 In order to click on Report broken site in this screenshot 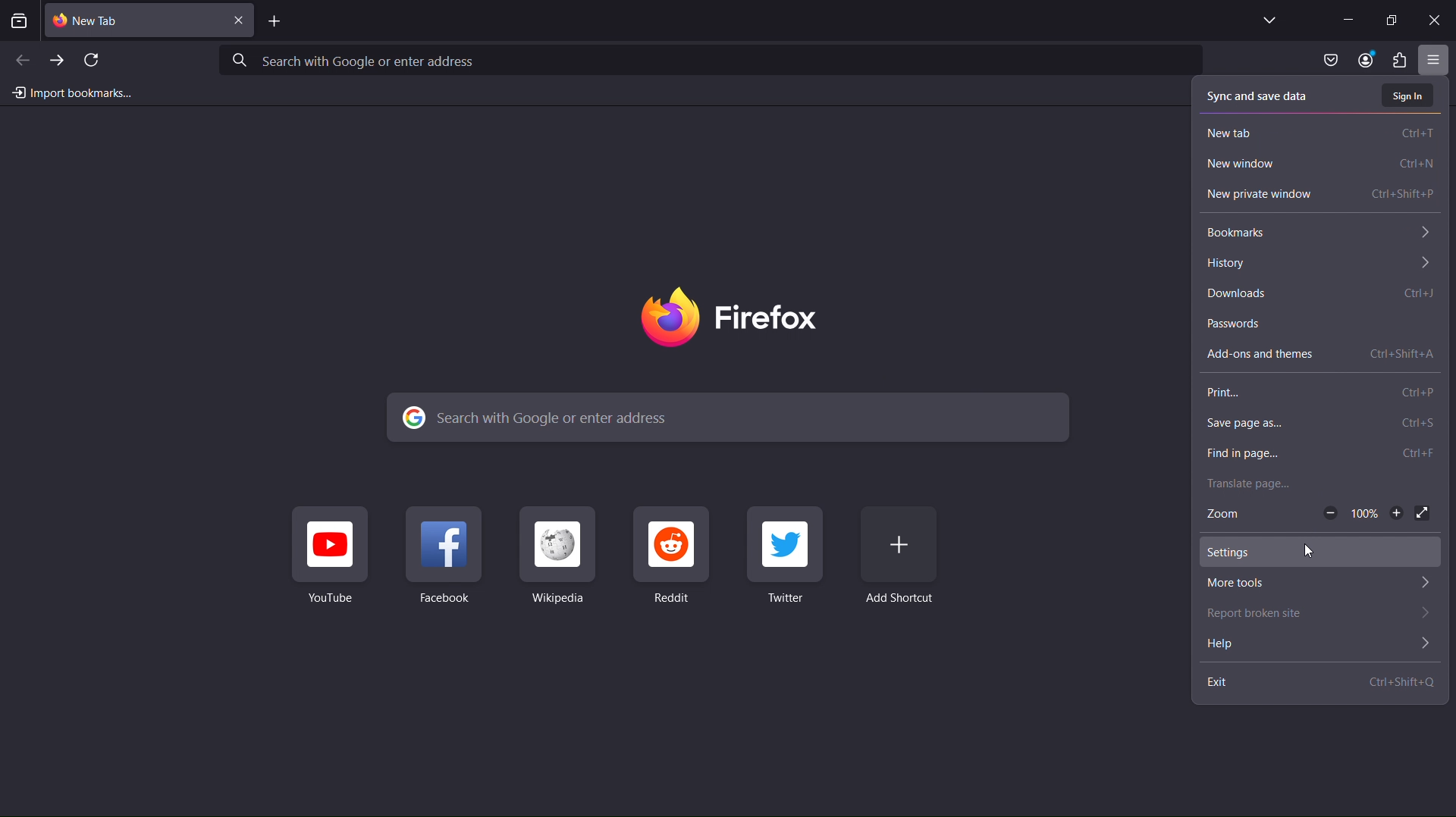, I will do `click(1319, 612)`.